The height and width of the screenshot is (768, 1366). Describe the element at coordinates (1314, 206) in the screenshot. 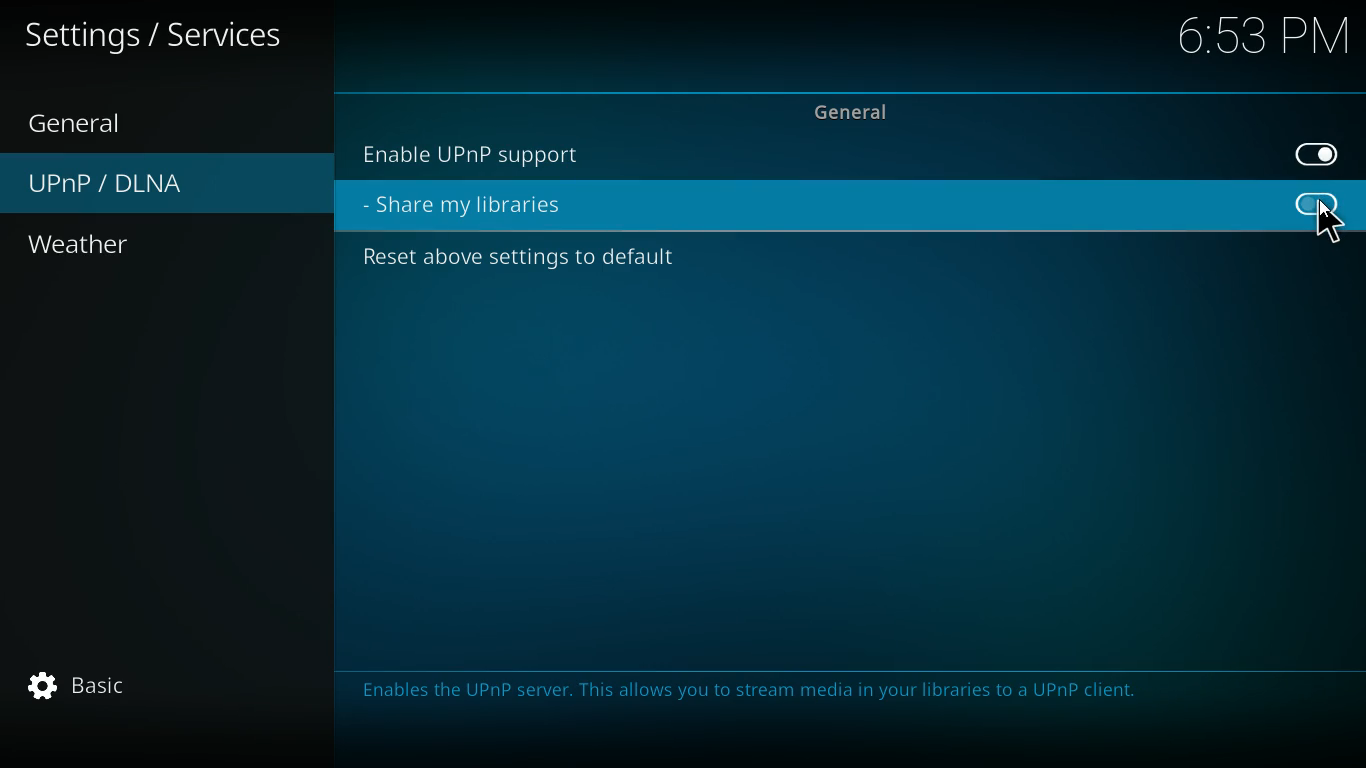

I see `off` at that location.